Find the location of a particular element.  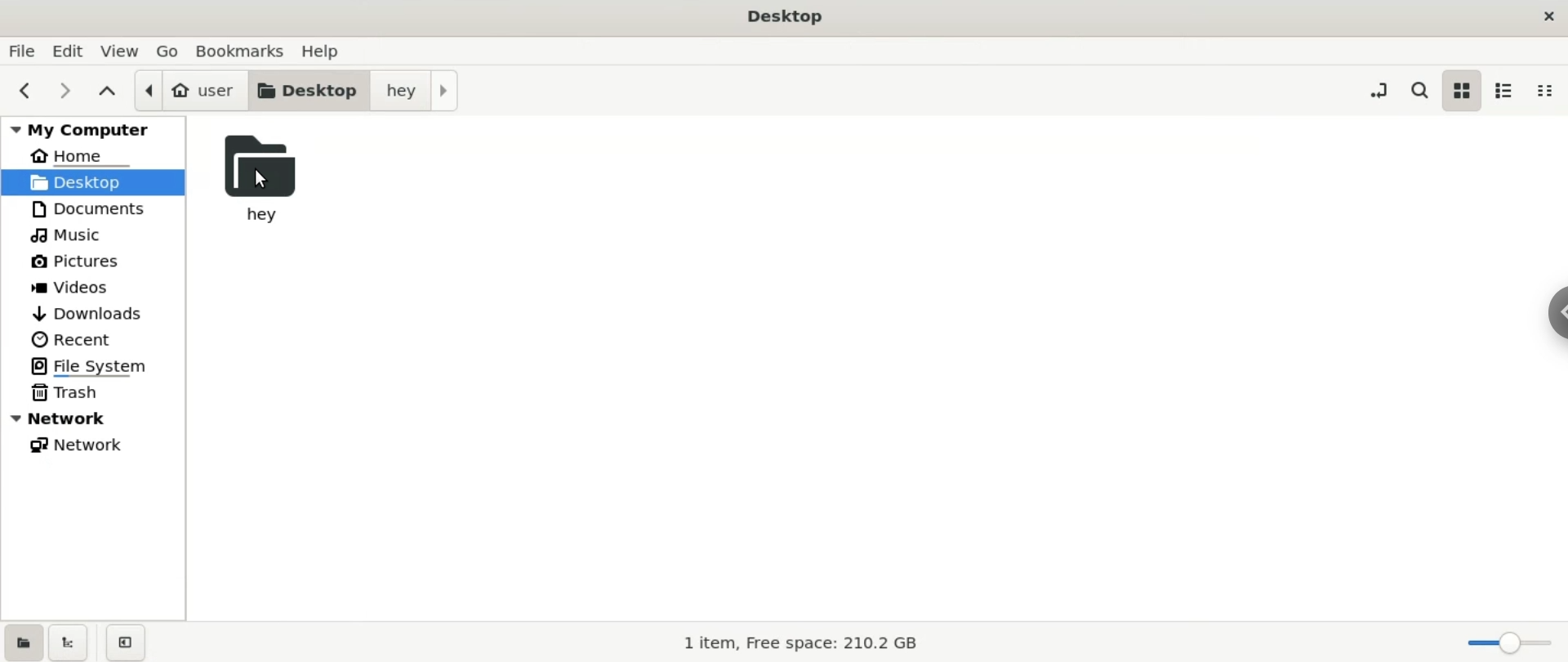

documents is located at coordinates (91, 209).